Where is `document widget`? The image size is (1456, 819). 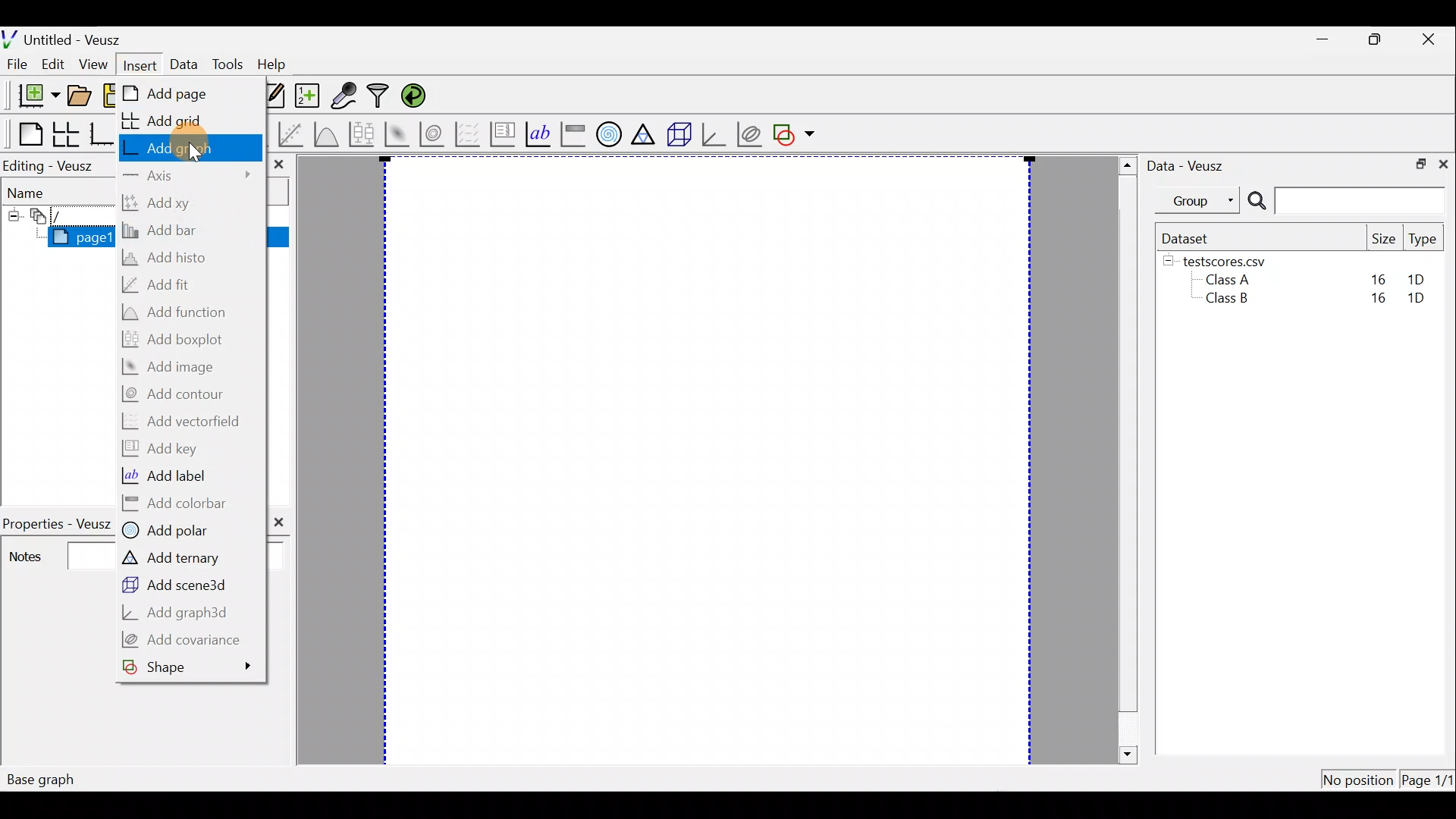
document widget is located at coordinates (45, 218).